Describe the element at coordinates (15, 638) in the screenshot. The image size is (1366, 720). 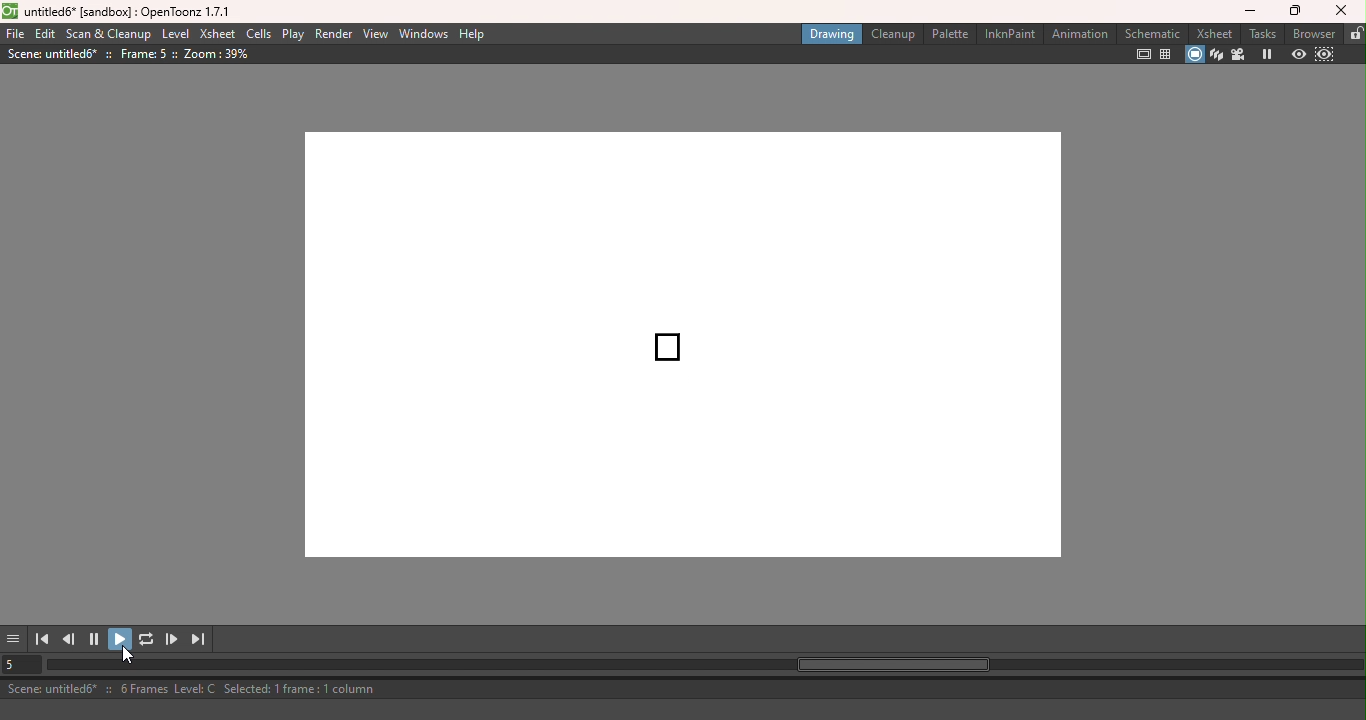
I see `More options` at that location.